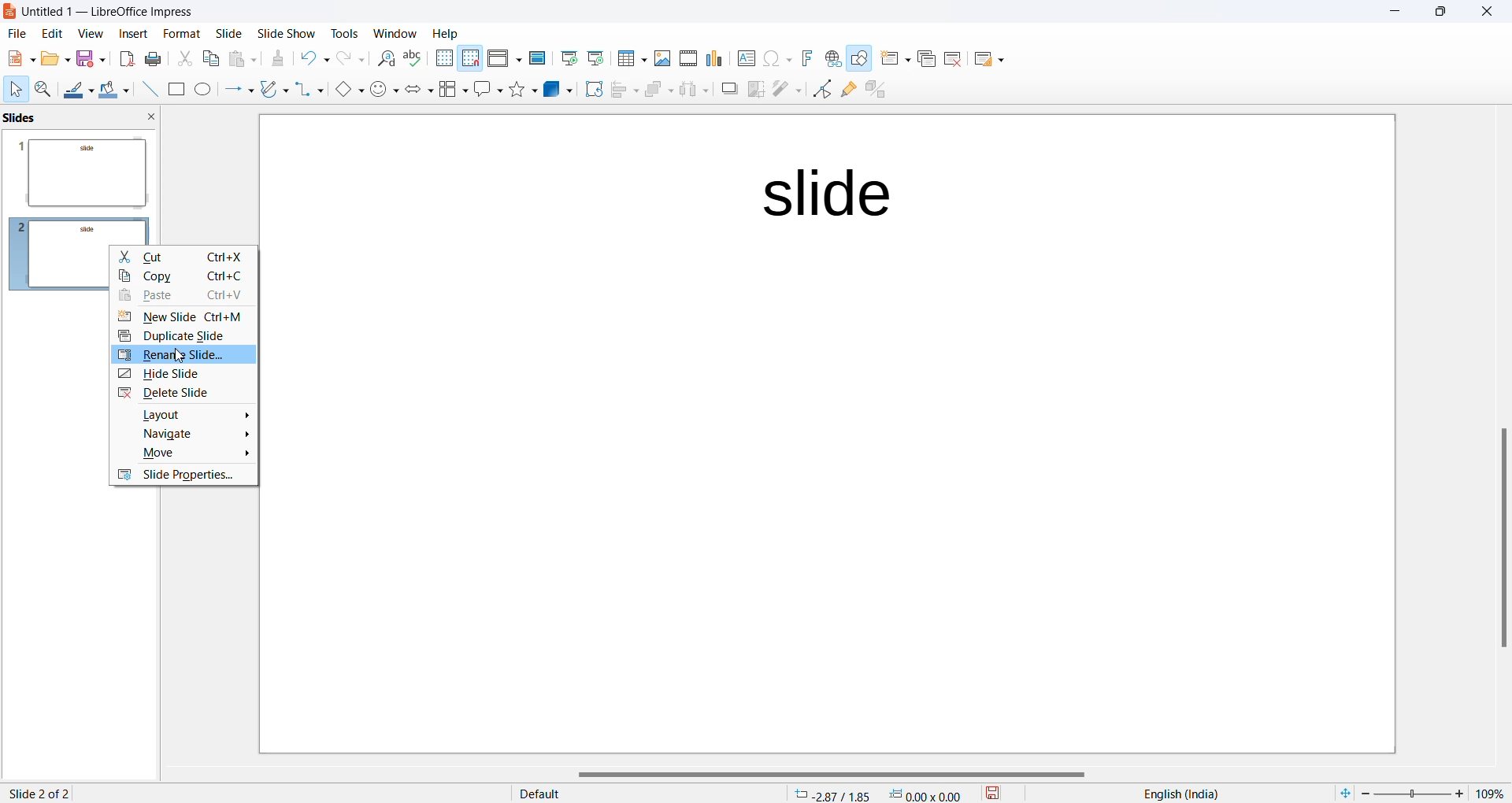 This screenshot has width=1512, height=803. What do you see at coordinates (41, 791) in the screenshot?
I see `slide 2 of 2` at bounding box center [41, 791].